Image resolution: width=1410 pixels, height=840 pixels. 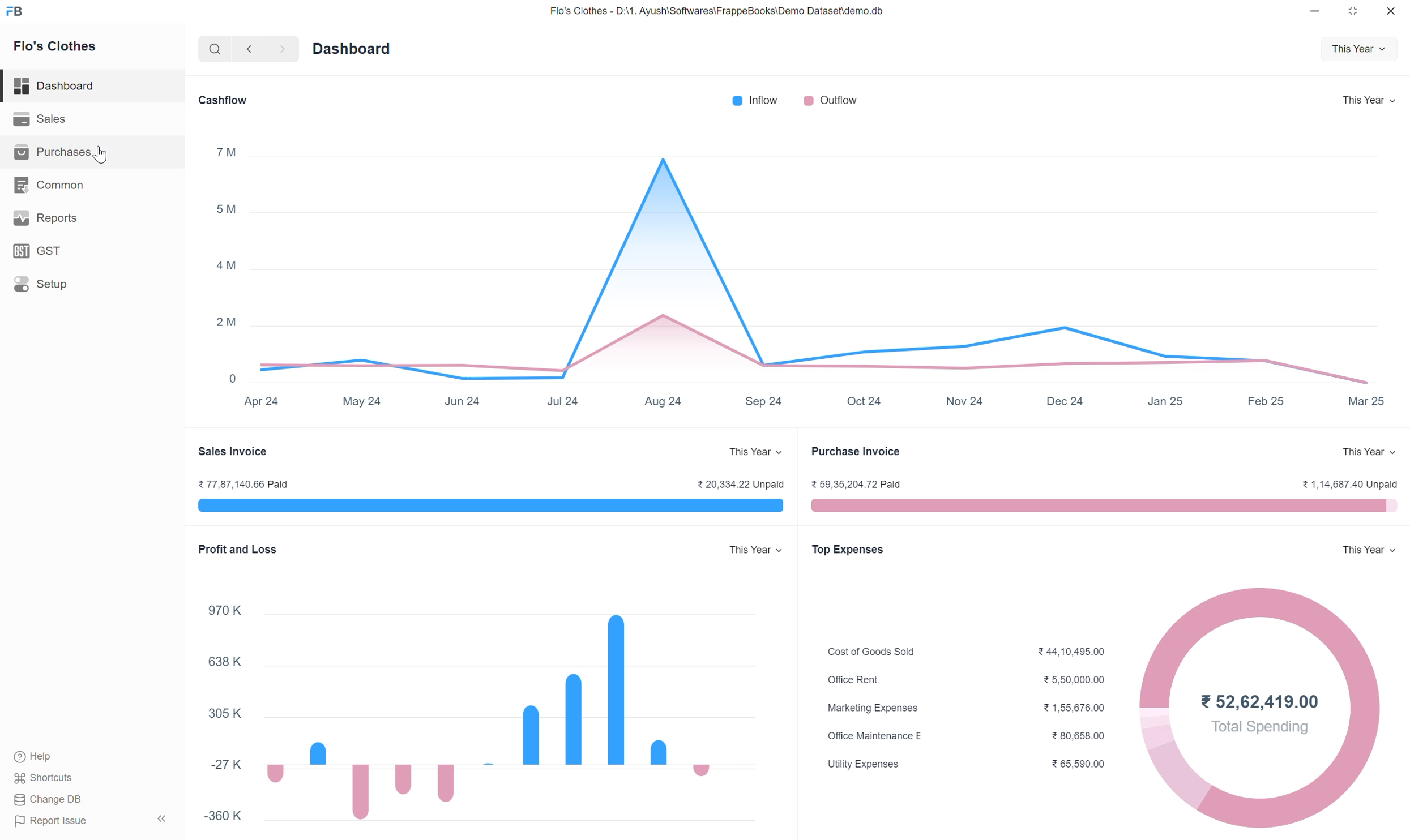 I want to click on utility expenses, so click(x=865, y=764).